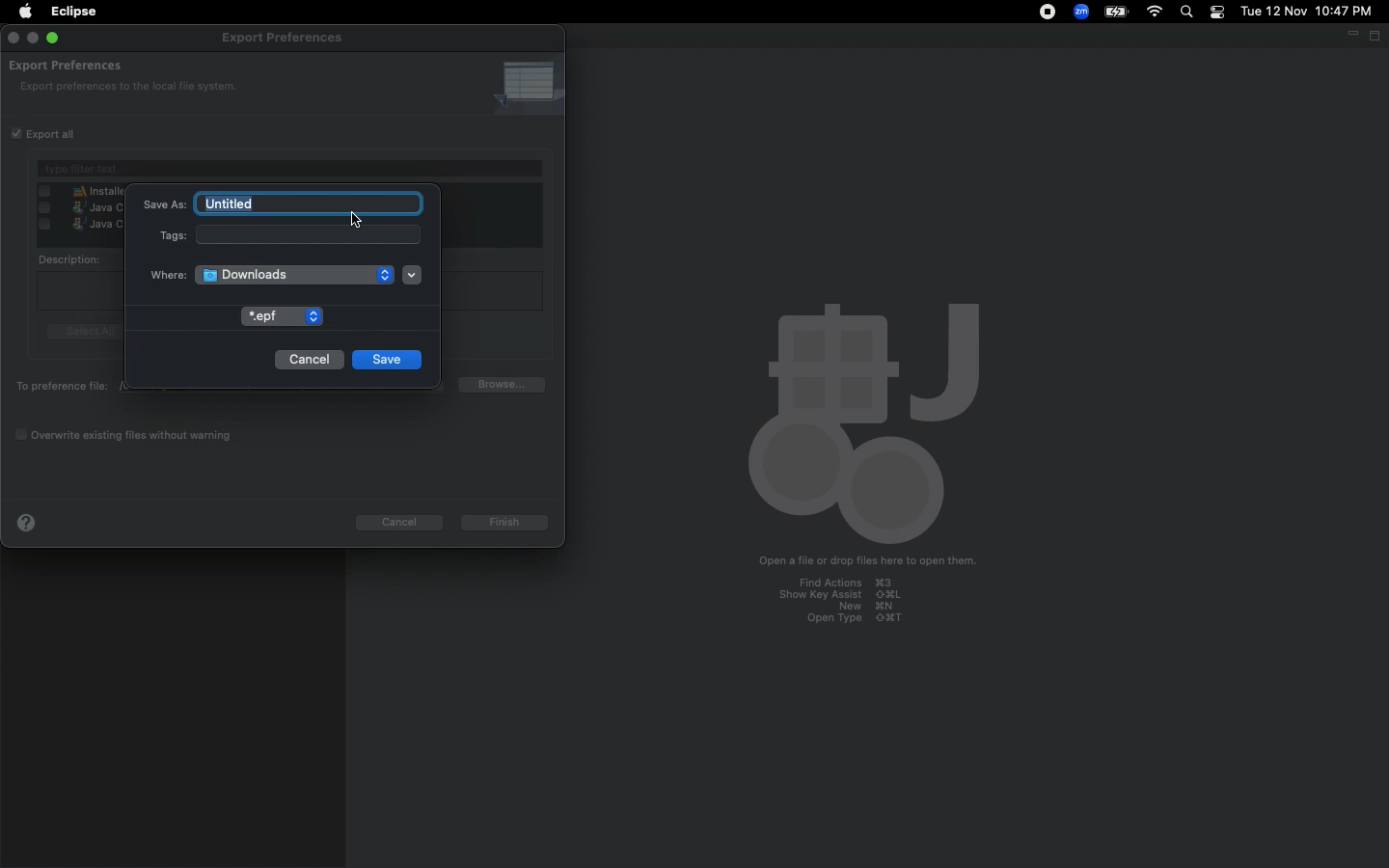  I want to click on body palette, so click(859, 420).